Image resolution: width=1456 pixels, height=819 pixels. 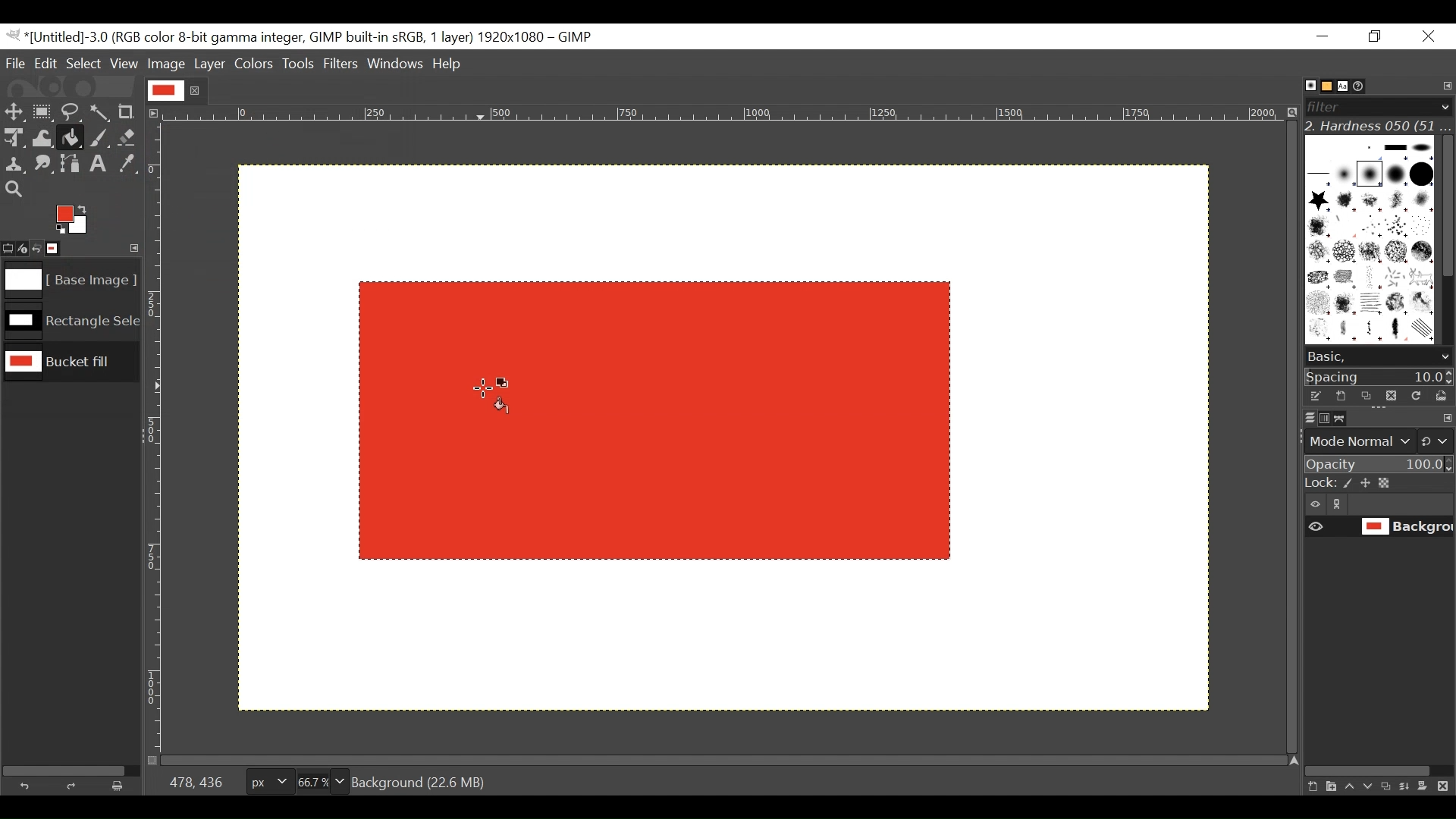 What do you see at coordinates (13, 110) in the screenshot?
I see `Move tool` at bounding box center [13, 110].